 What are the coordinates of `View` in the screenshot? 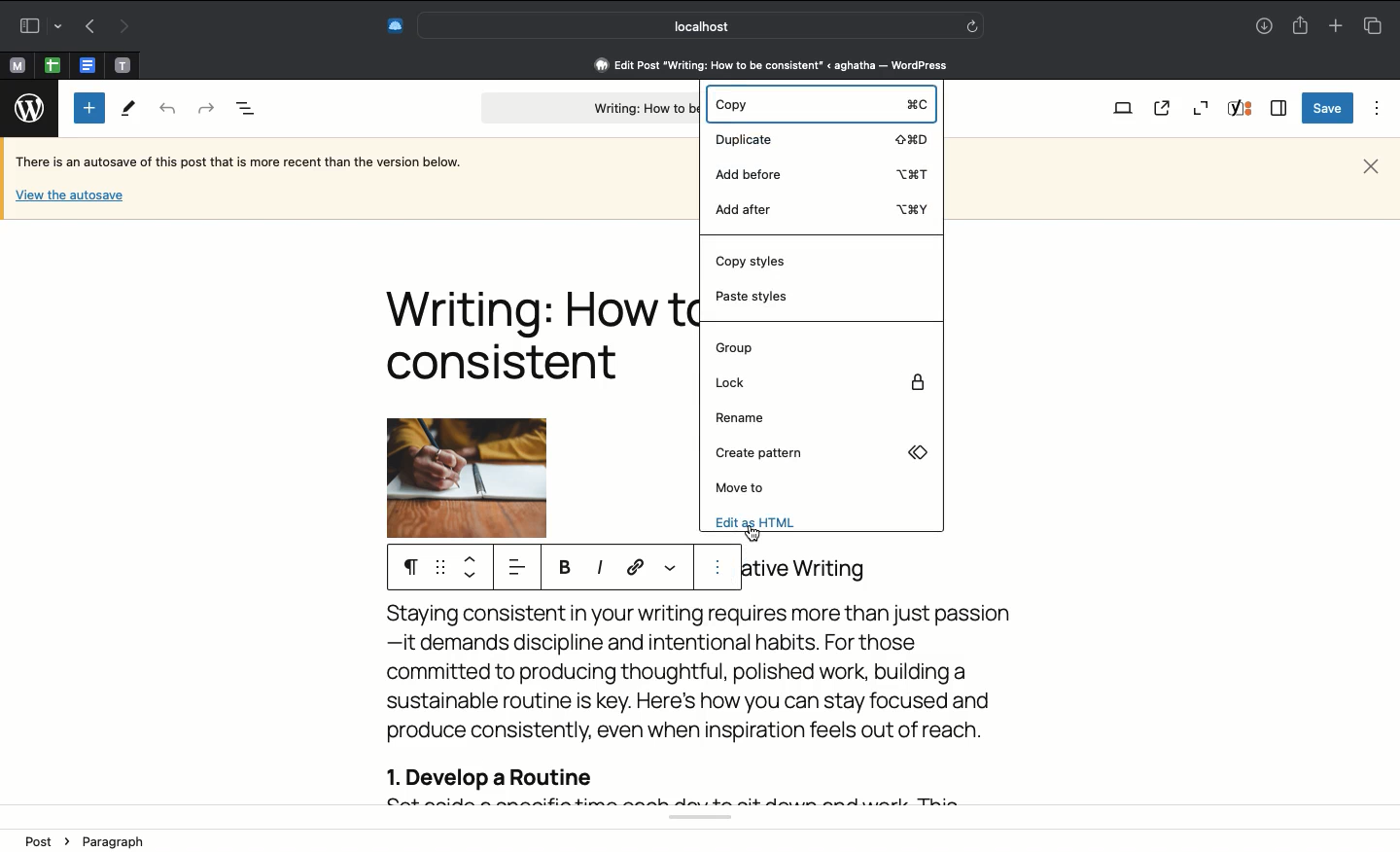 It's located at (1122, 110).